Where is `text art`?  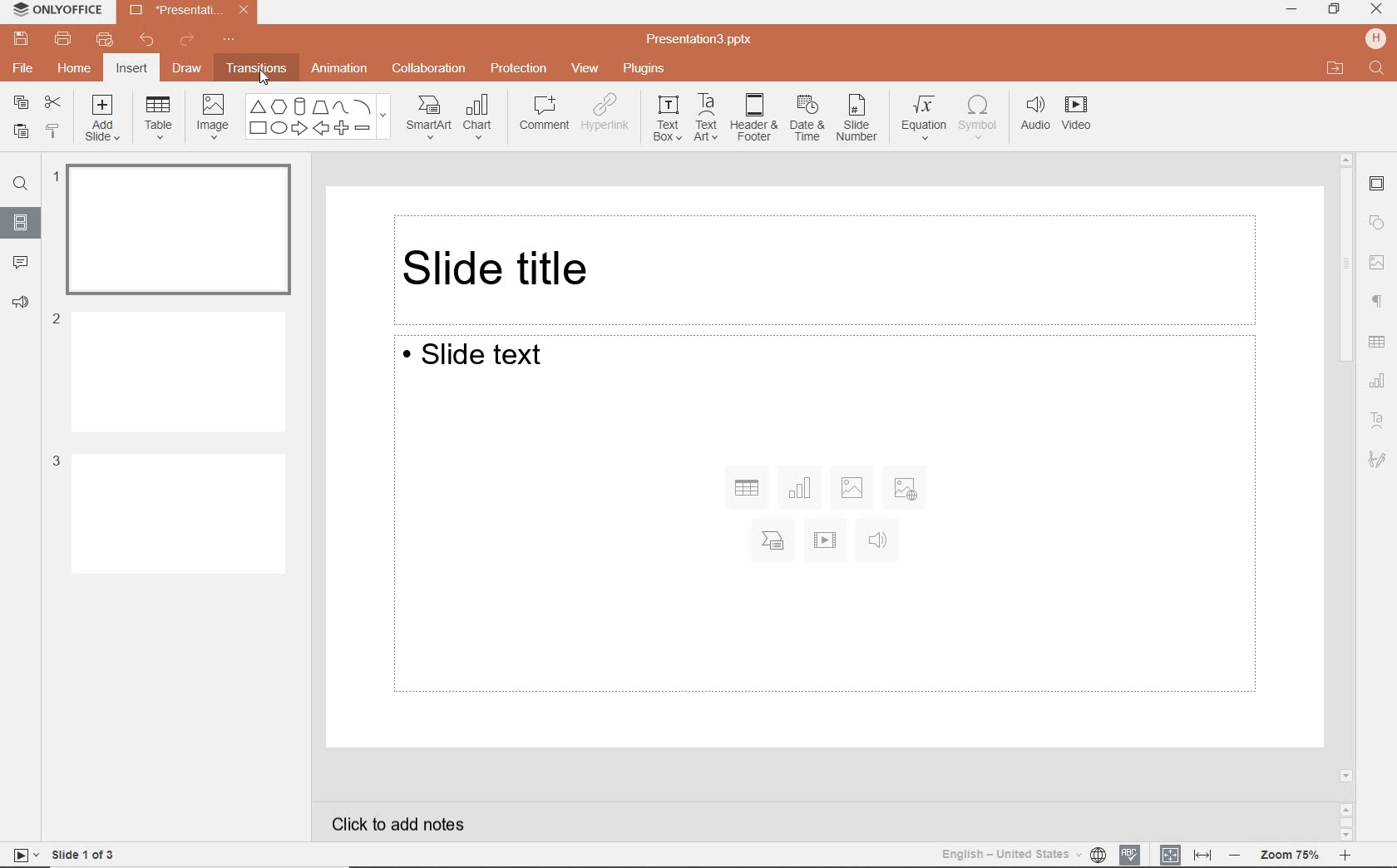 text art is located at coordinates (1380, 458).